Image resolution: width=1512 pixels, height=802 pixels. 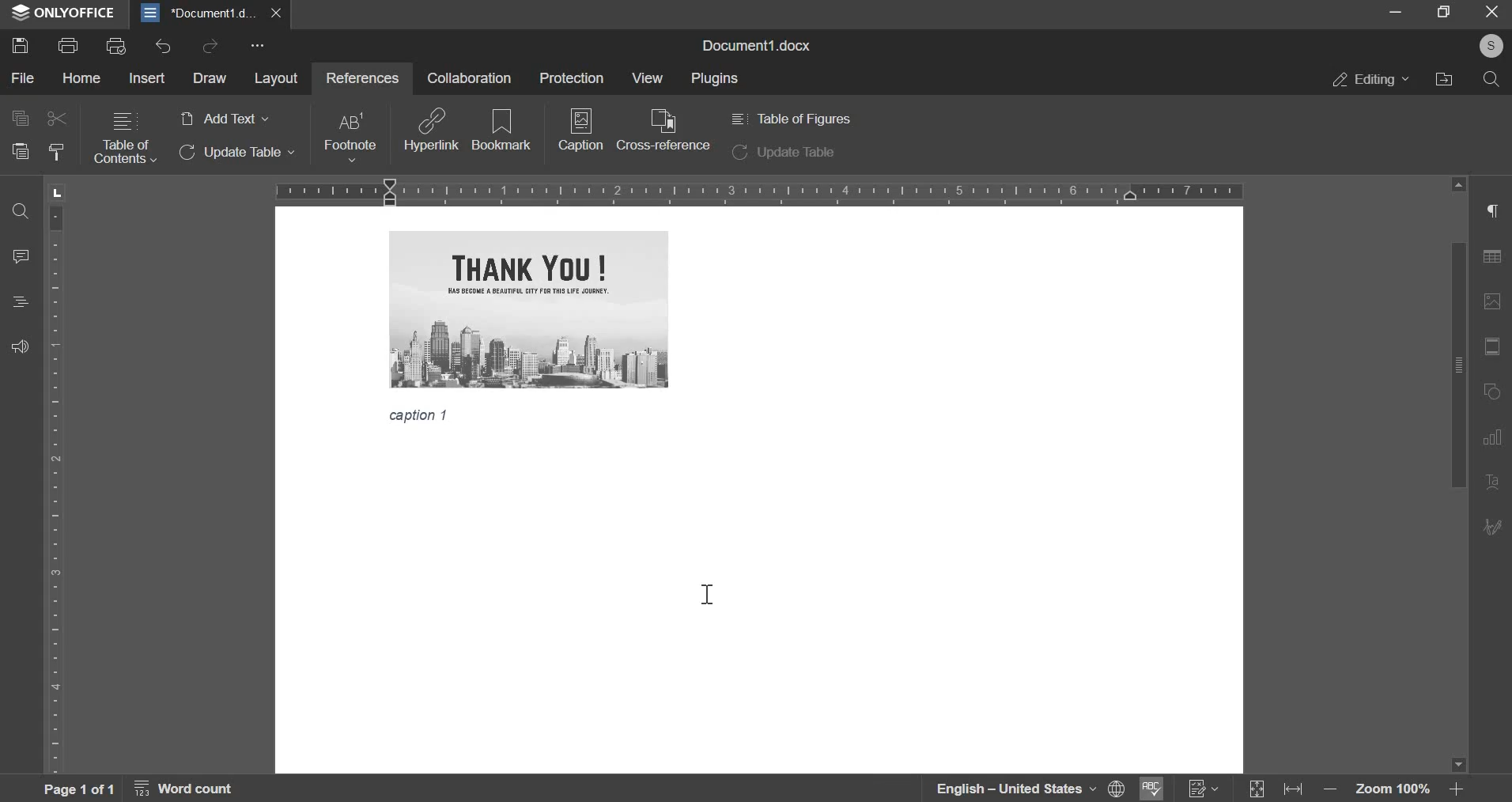 What do you see at coordinates (19, 117) in the screenshot?
I see `copy` at bounding box center [19, 117].